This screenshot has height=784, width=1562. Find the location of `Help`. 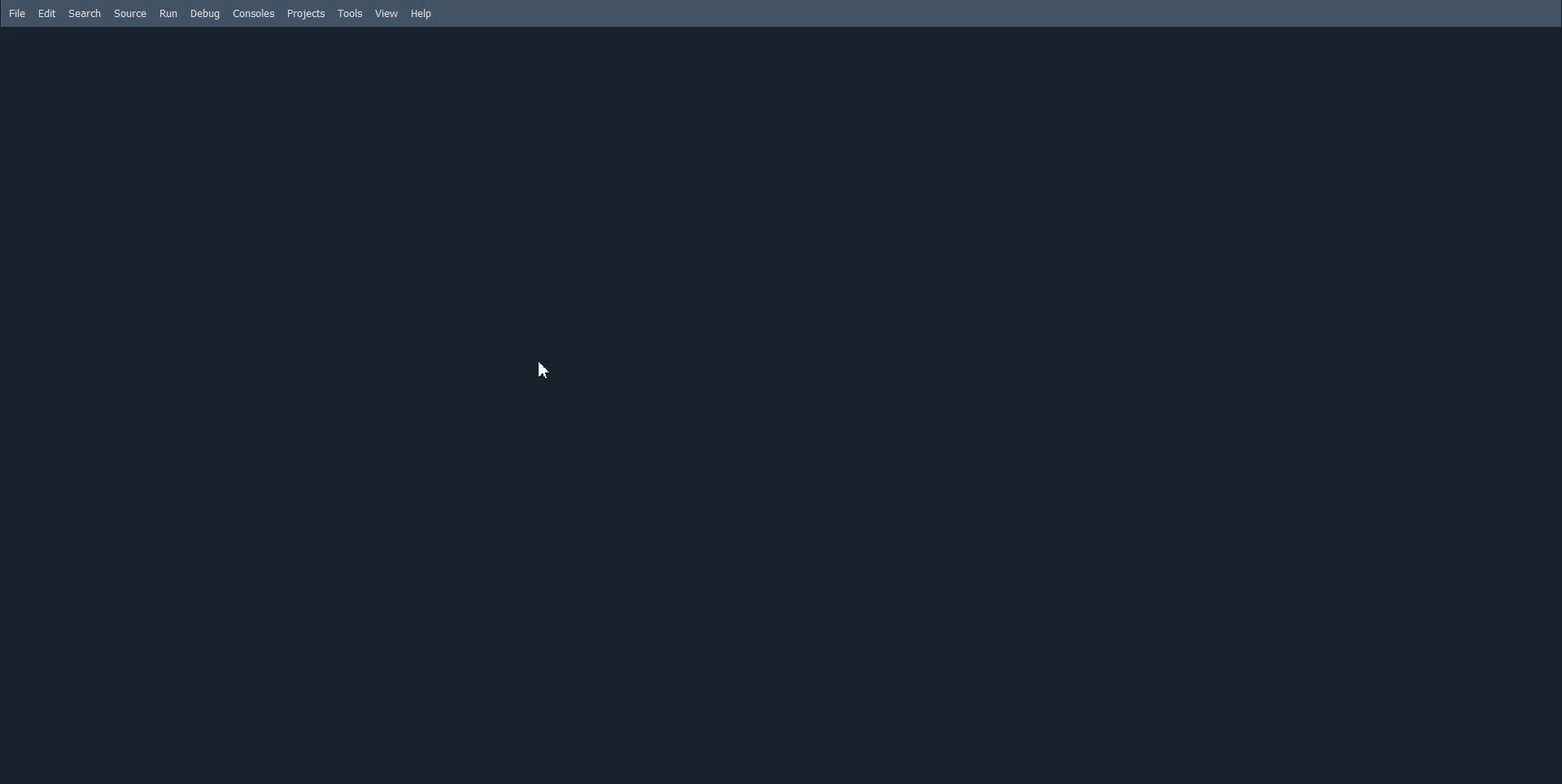

Help is located at coordinates (422, 15).